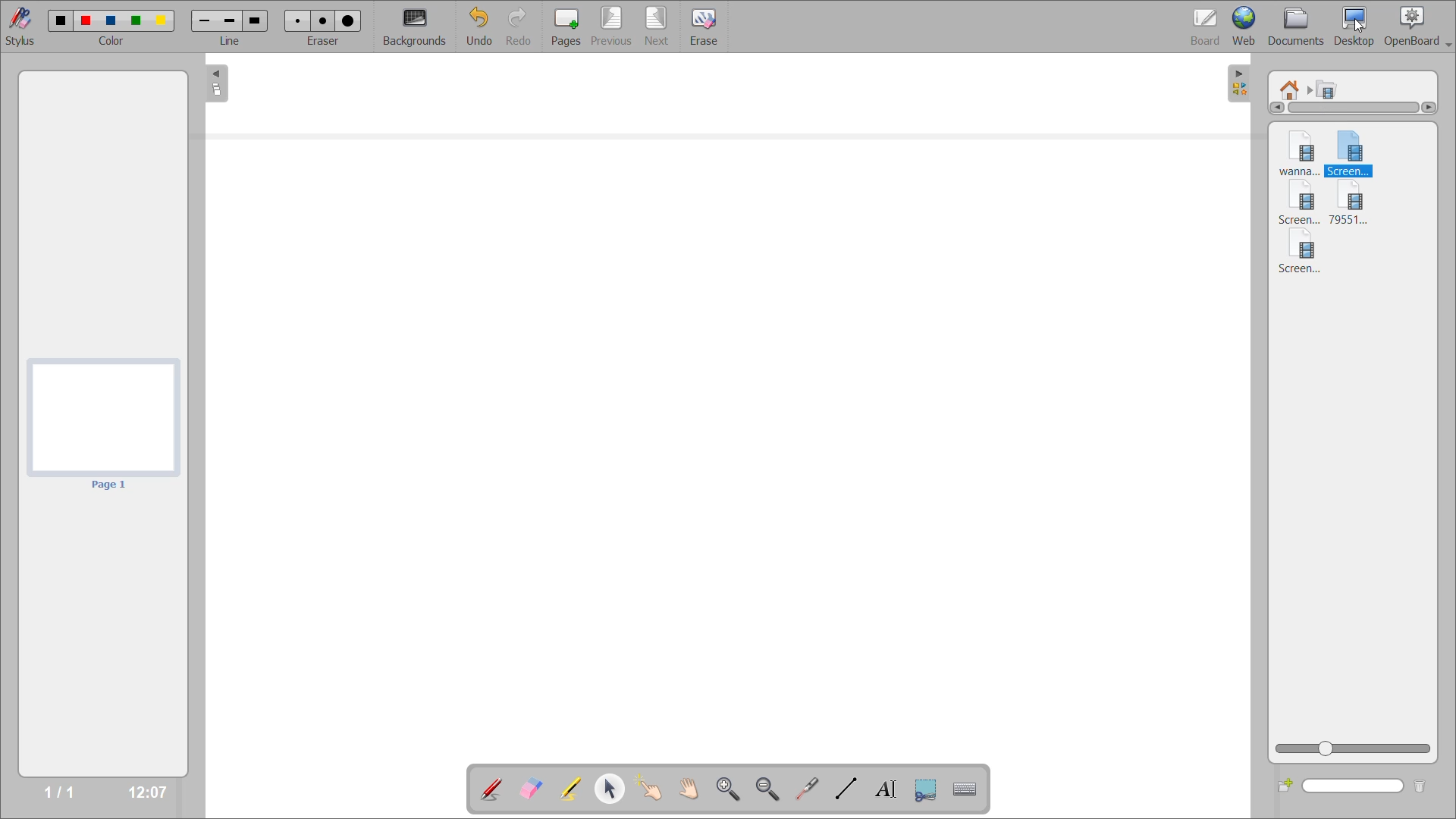  Describe the element at coordinates (228, 20) in the screenshot. I see `Medium line` at that location.